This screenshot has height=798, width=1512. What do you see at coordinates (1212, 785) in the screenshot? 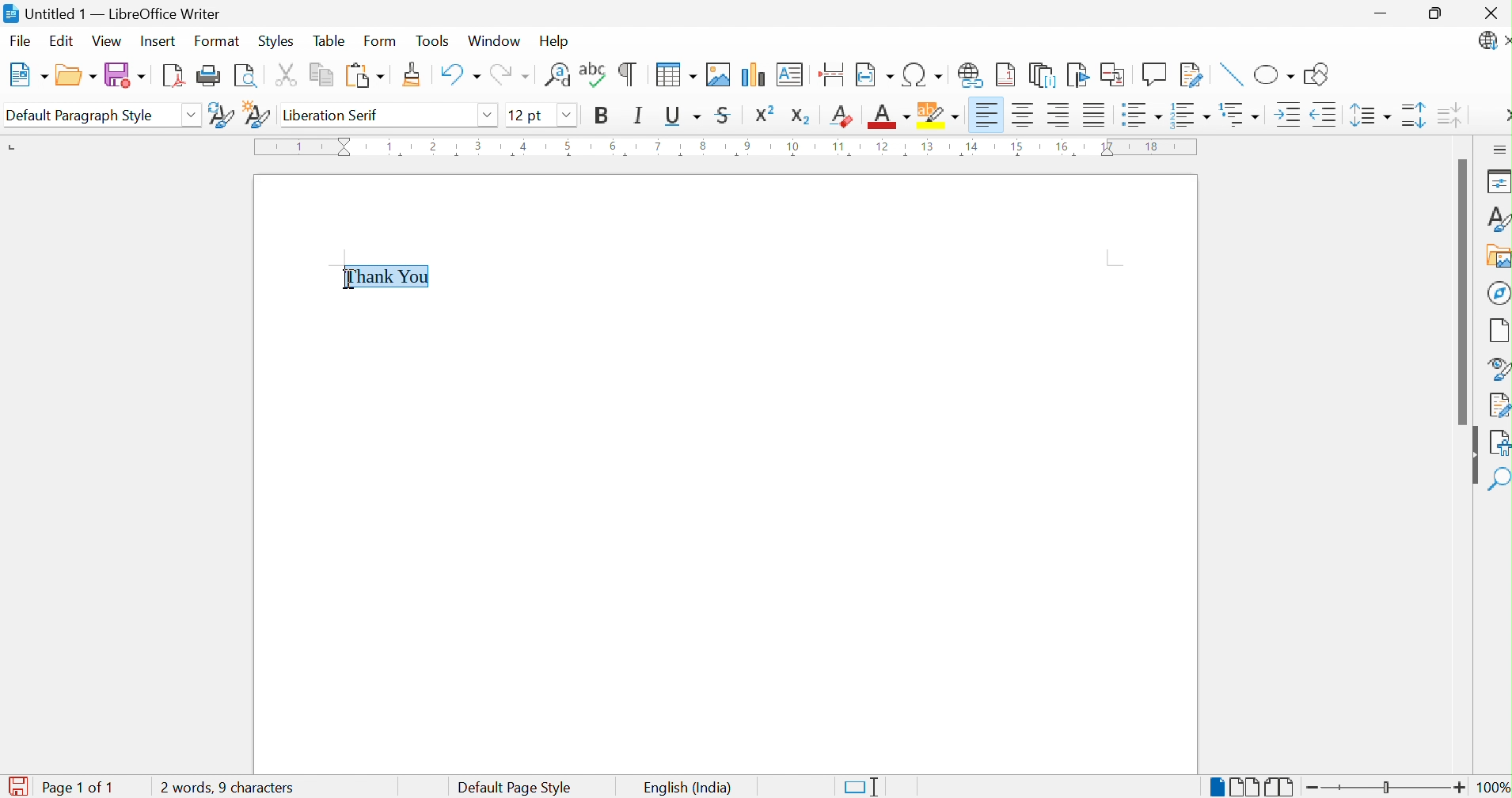
I see `Single-page View` at bounding box center [1212, 785].